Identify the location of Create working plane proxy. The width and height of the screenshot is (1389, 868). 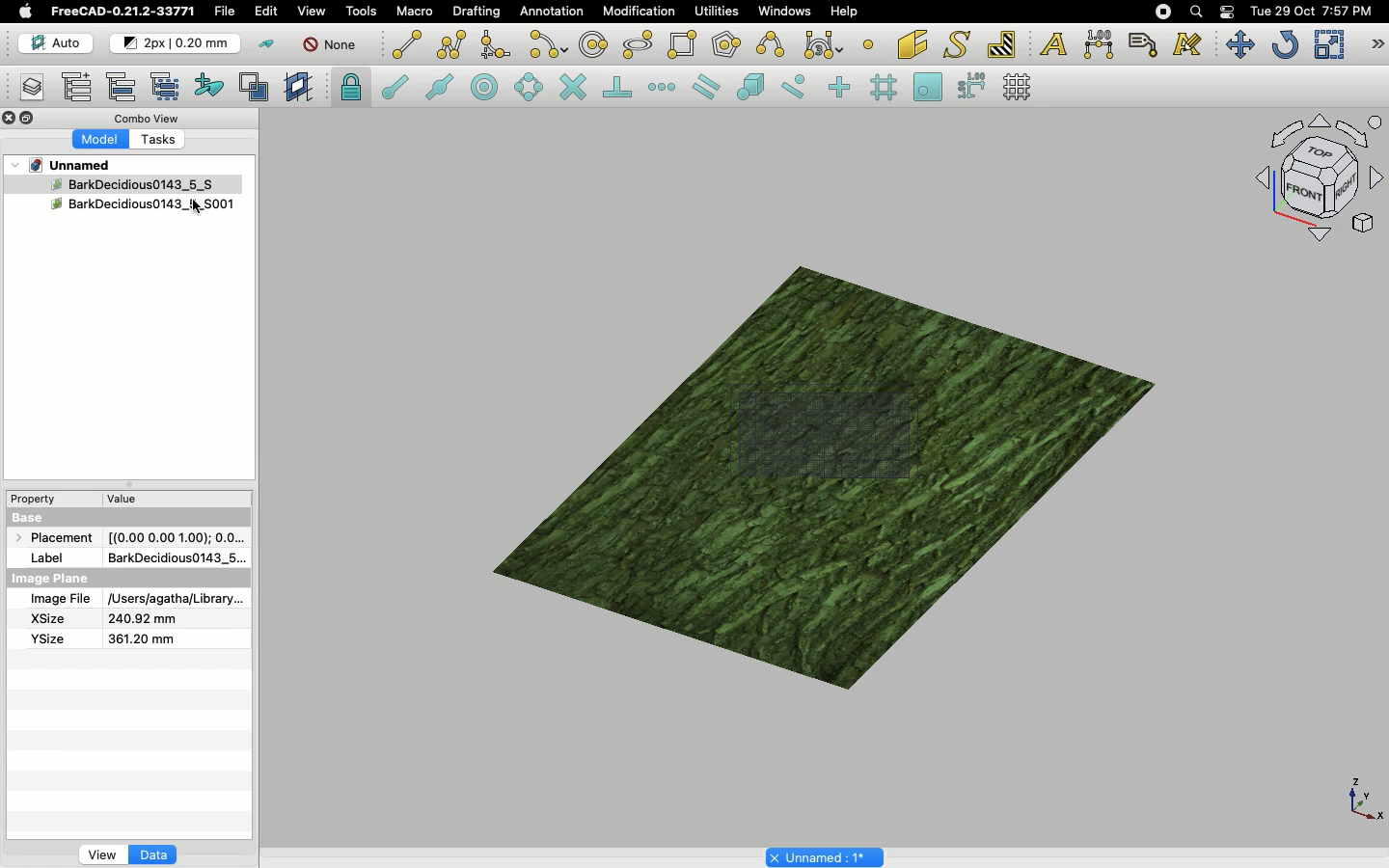
(258, 88).